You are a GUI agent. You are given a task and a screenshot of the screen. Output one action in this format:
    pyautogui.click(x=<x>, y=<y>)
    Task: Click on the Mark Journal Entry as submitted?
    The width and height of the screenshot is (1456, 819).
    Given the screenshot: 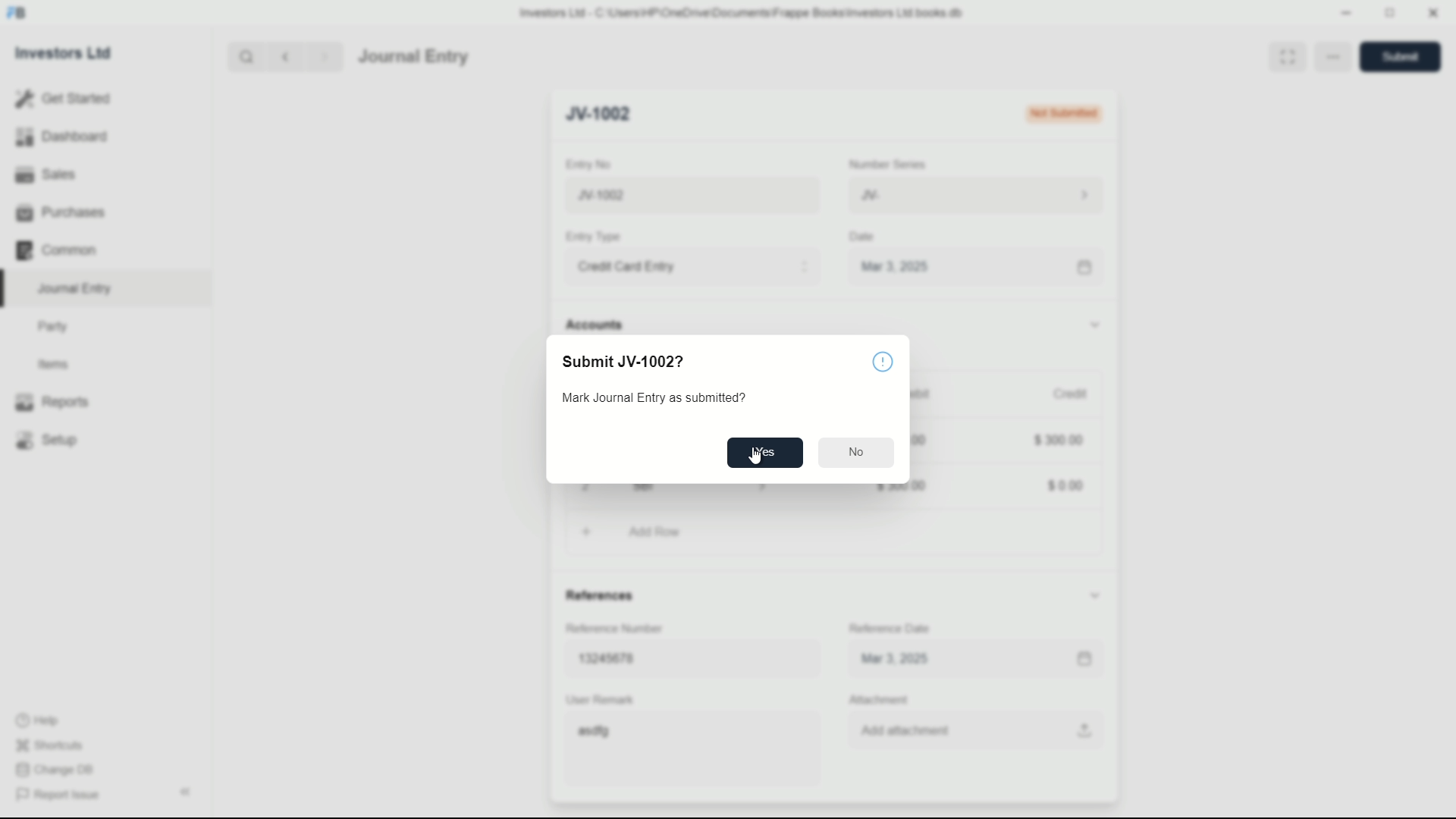 What is the action you would take?
    pyautogui.click(x=661, y=398)
    